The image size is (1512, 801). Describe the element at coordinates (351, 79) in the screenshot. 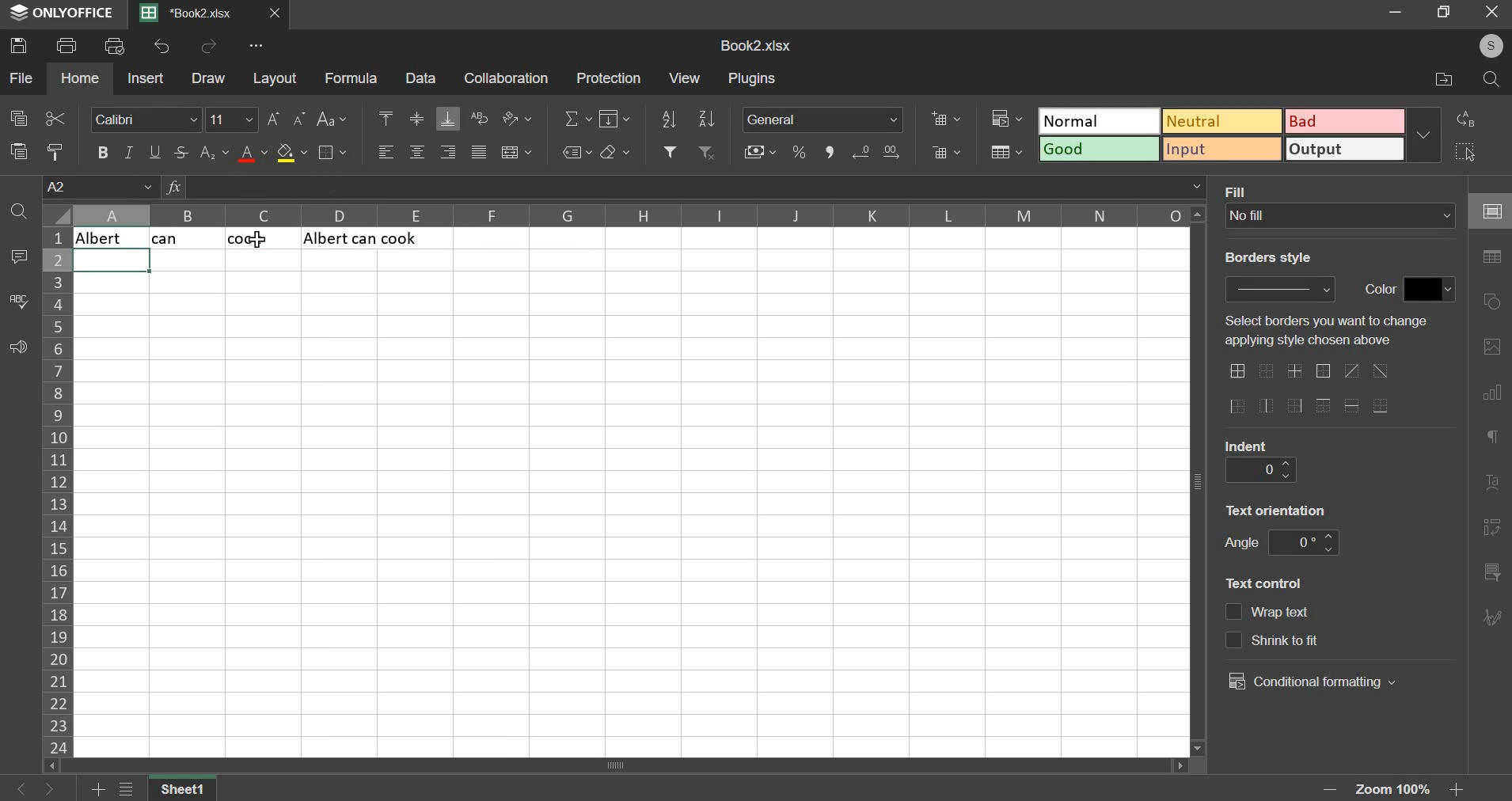

I see `formula` at that location.